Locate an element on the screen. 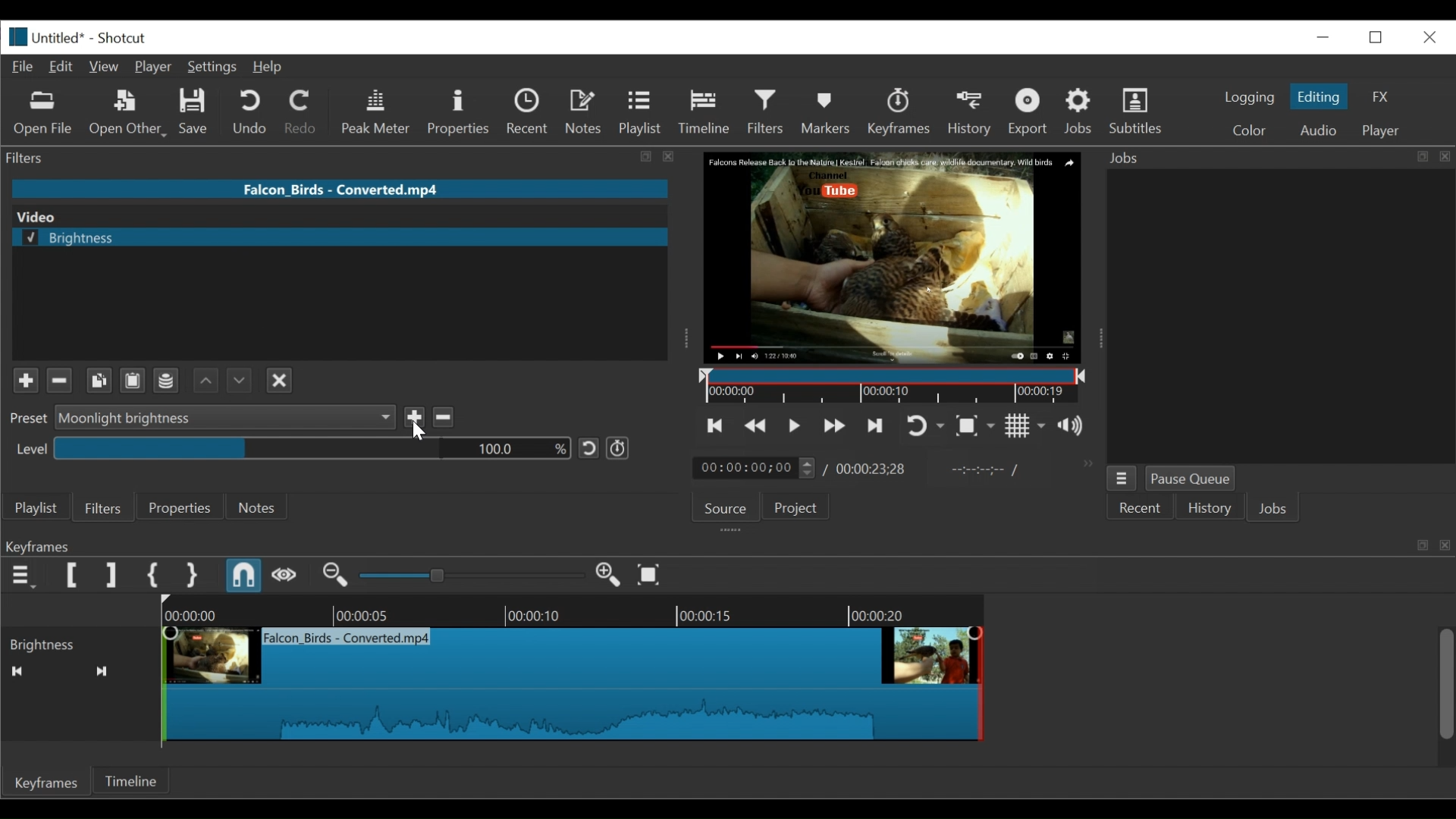 The height and width of the screenshot is (819, 1456). Subtitles is located at coordinates (1136, 111).